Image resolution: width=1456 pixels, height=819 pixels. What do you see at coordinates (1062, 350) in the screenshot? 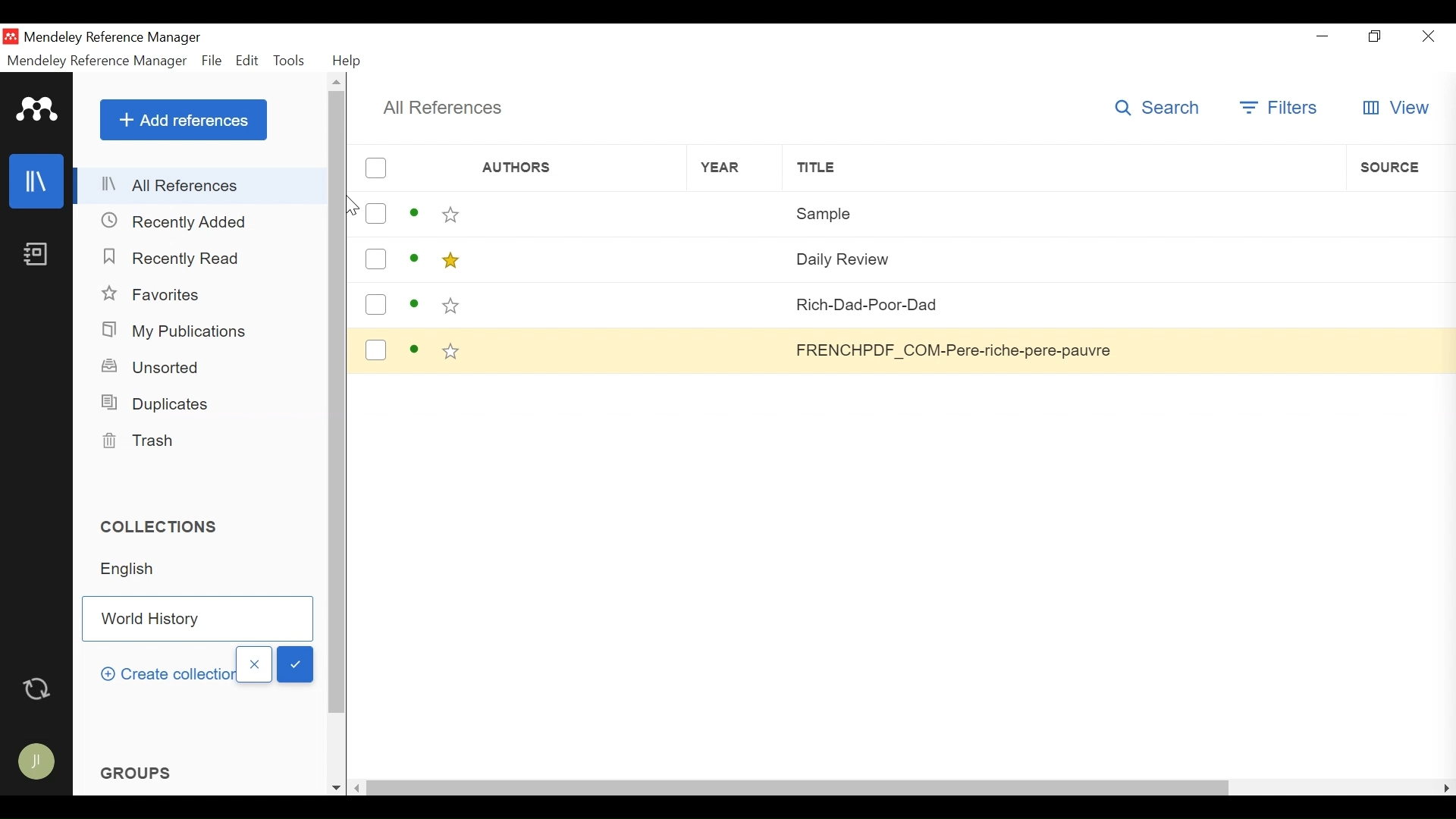
I see `FRENCHPDF_COM-Pere-riche-pere-pauvre` at bounding box center [1062, 350].